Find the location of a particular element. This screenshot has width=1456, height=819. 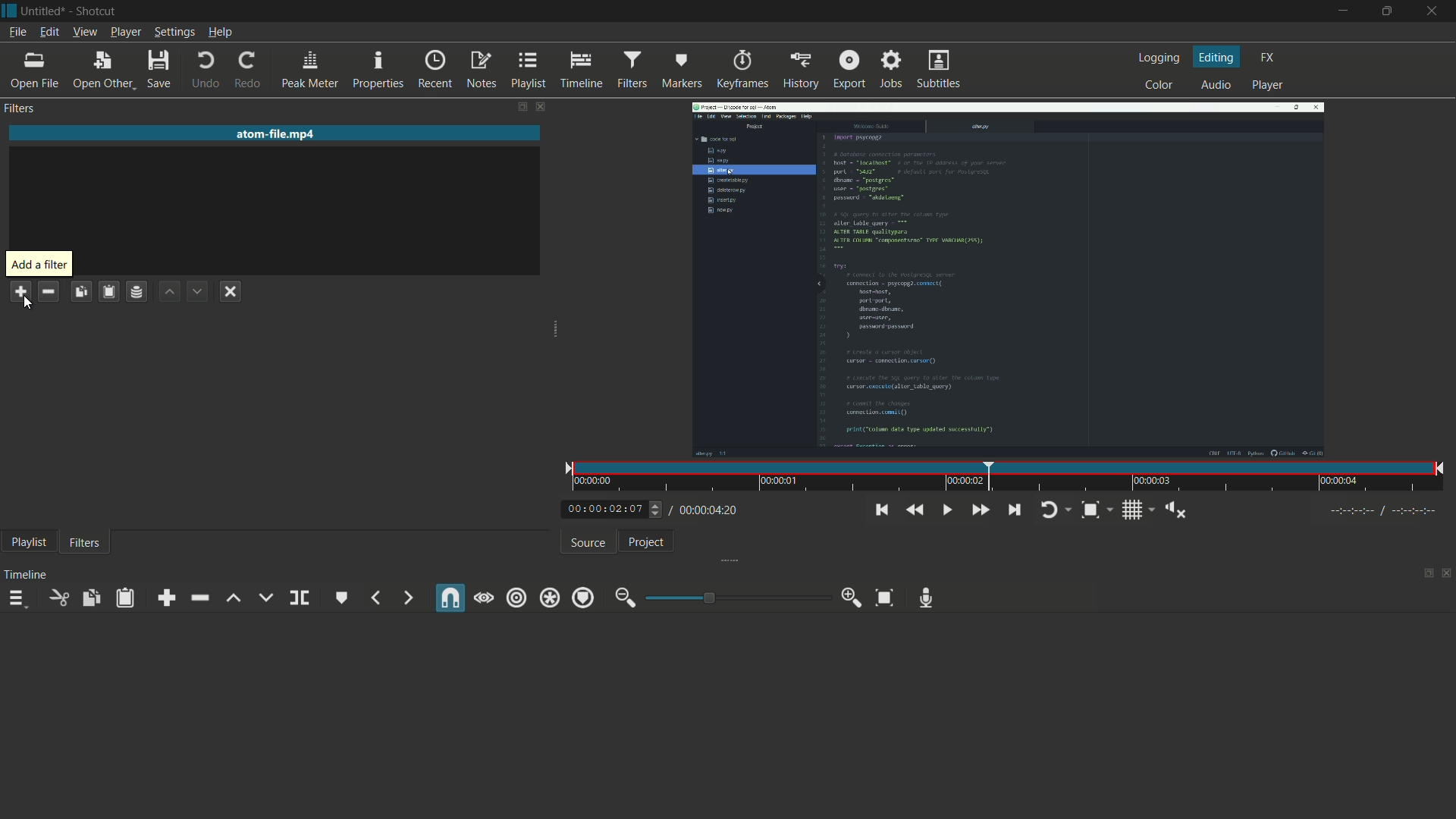

view menu is located at coordinates (85, 32).